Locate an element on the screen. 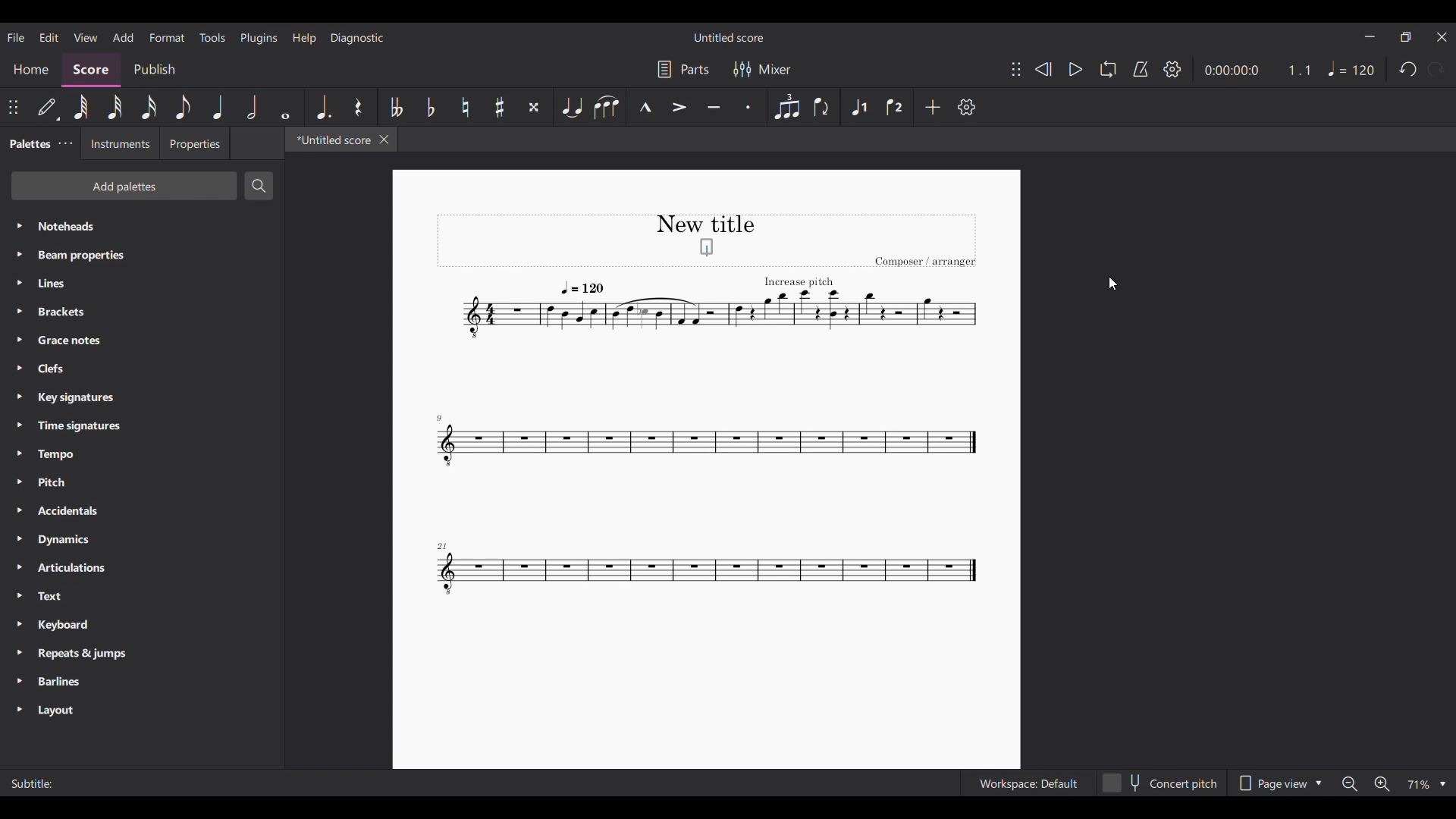 Image resolution: width=1456 pixels, height=819 pixels. Zoom out is located at coordinates (1349, 783).